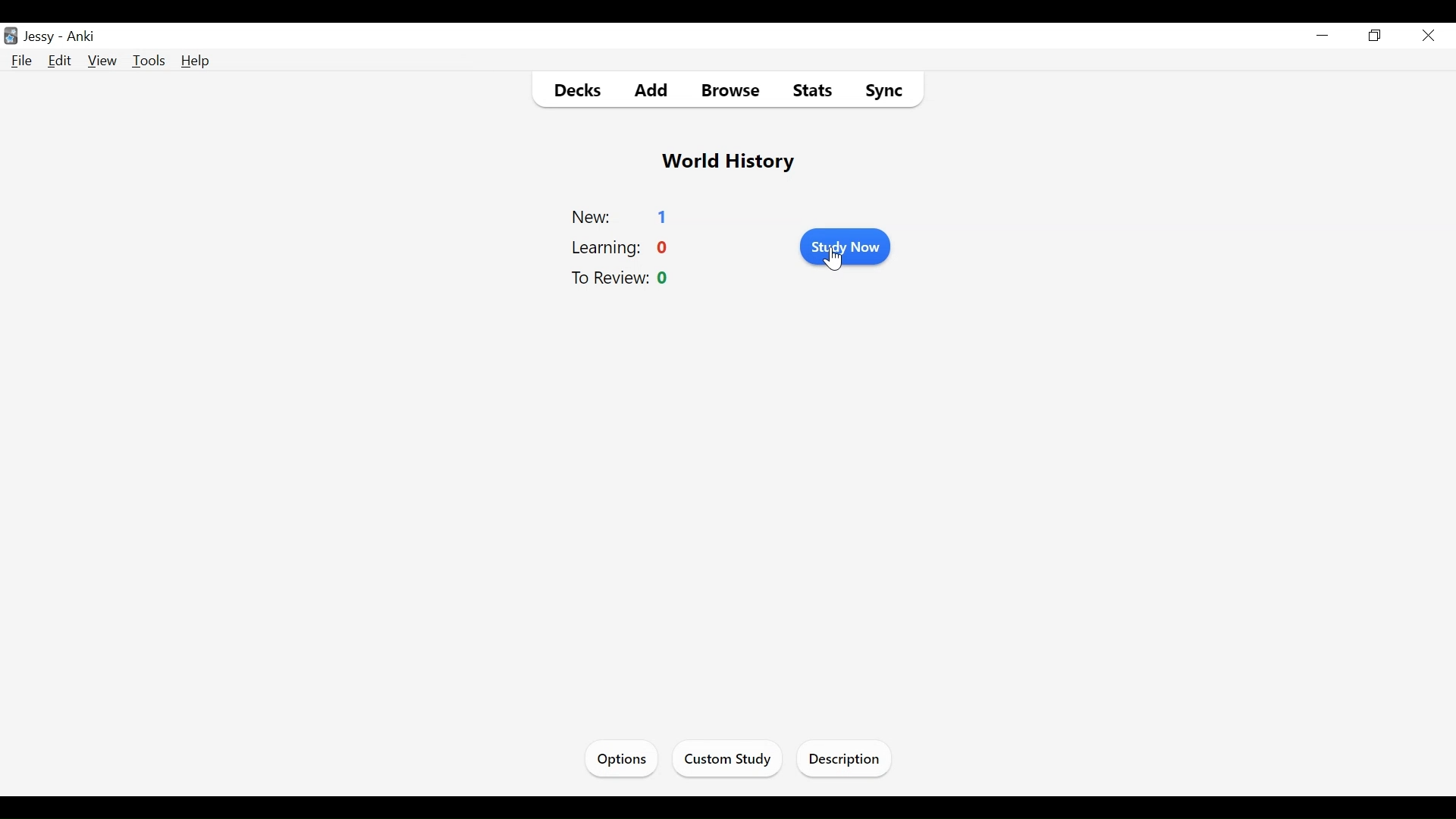 The image size is (1456, 819). Describe the element at coordinates (726, 90) in the screenshot. I see `Browse` at that location.